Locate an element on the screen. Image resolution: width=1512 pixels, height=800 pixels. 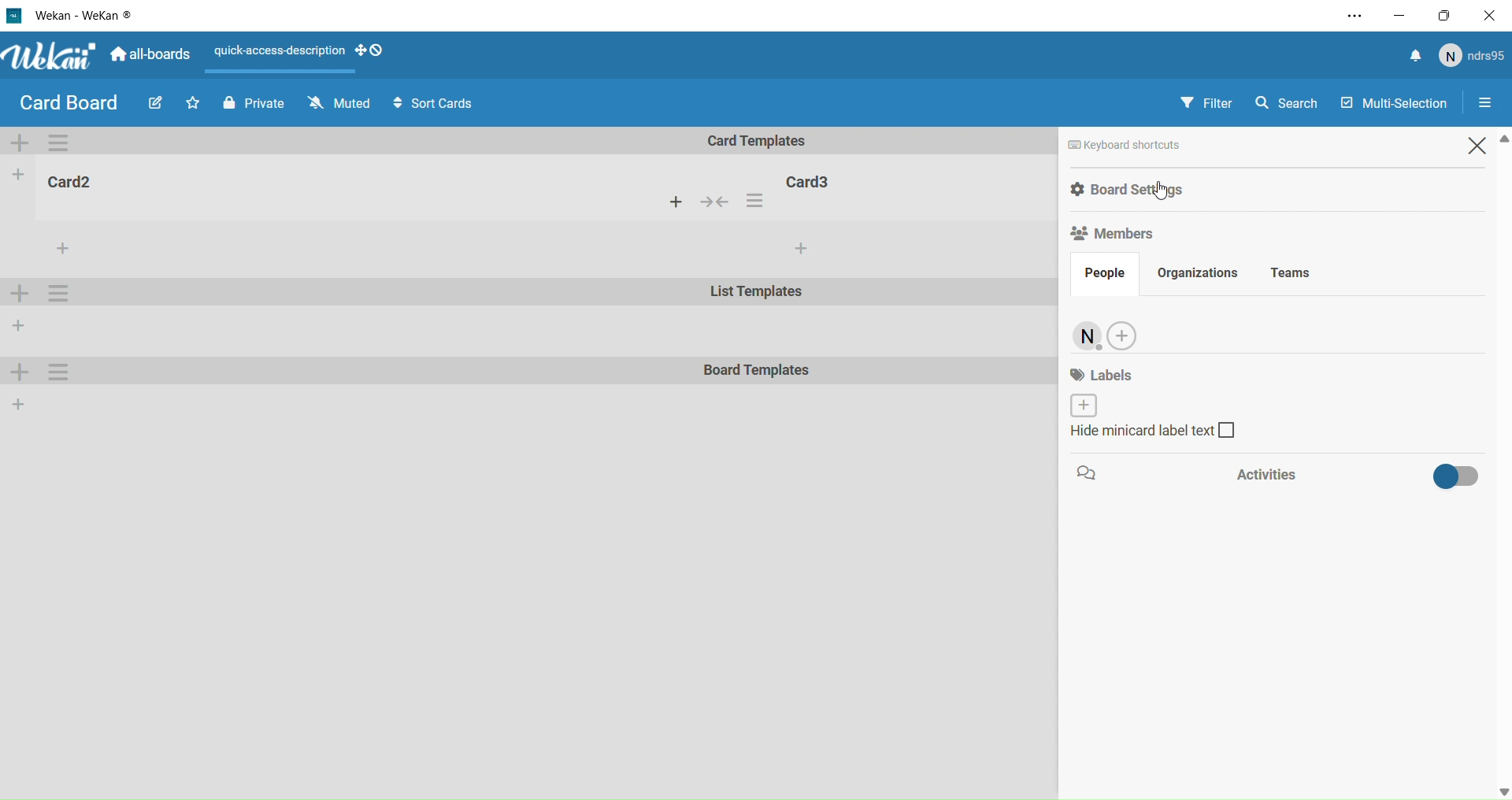
 is located at coordinates (79, 17).